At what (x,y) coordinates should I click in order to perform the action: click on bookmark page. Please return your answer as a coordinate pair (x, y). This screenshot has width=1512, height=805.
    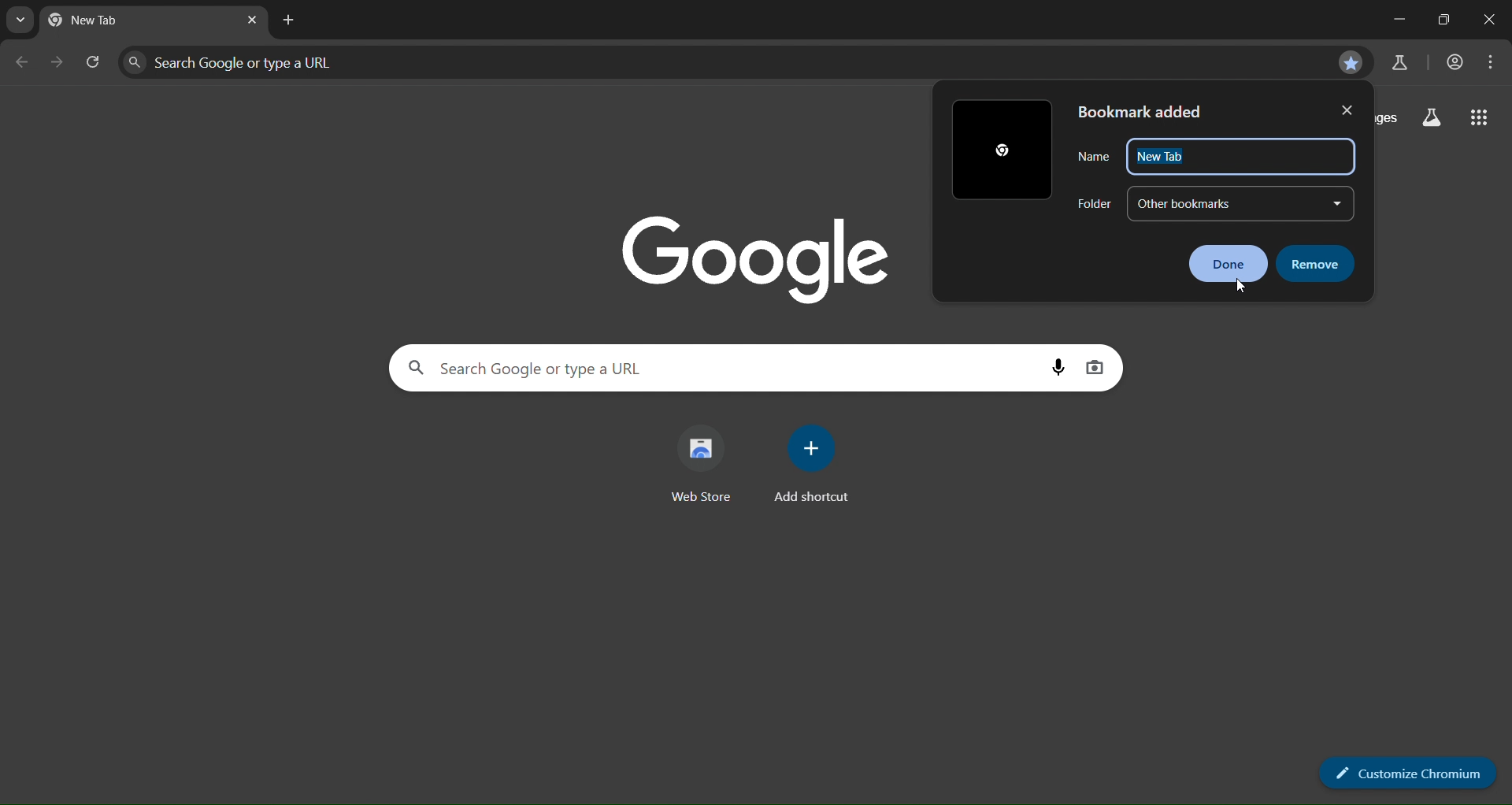
    Looking at the image, I should click on (1352, 61).